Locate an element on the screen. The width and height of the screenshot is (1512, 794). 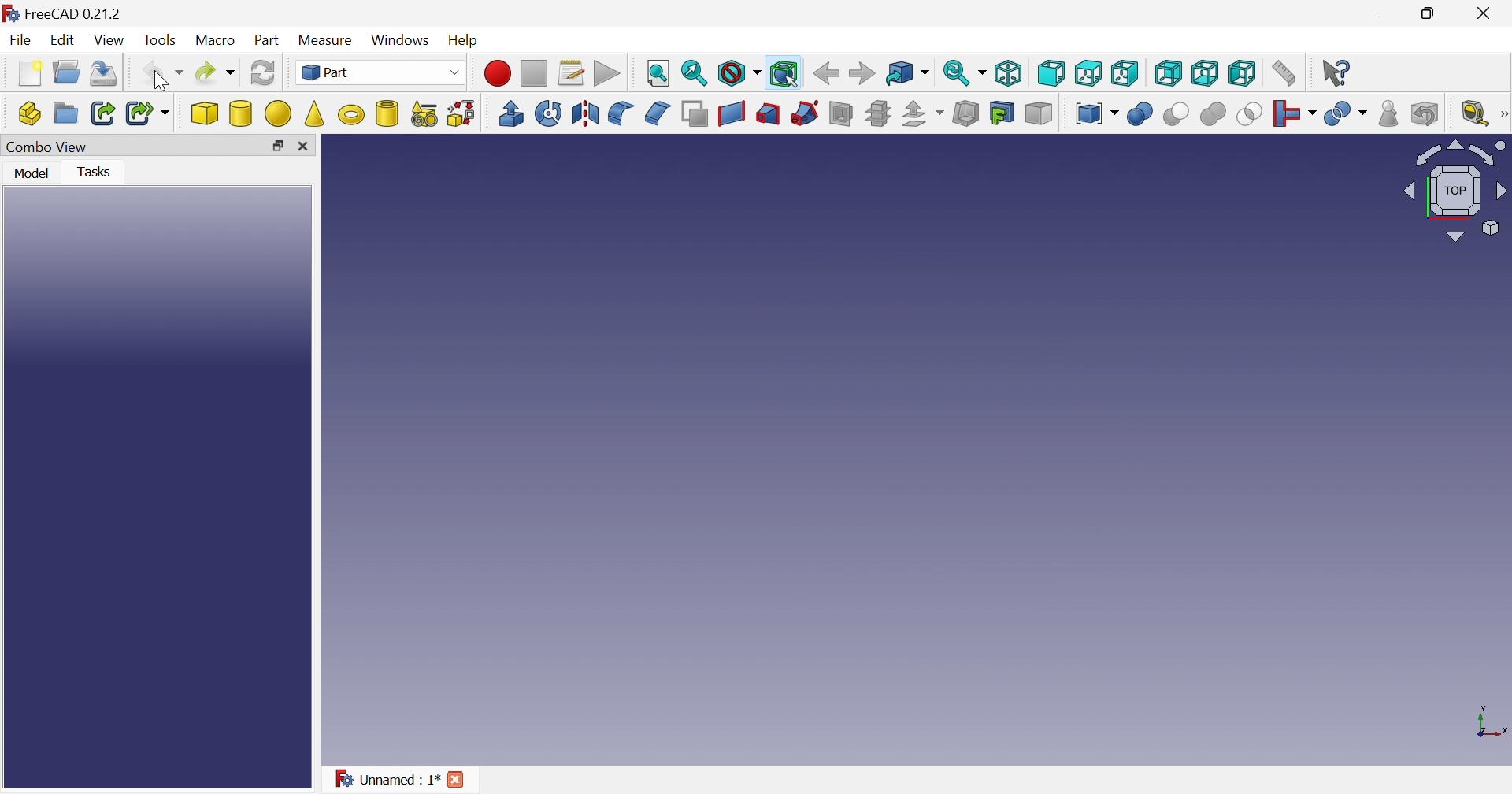
View is located at coordinates (109, 41).